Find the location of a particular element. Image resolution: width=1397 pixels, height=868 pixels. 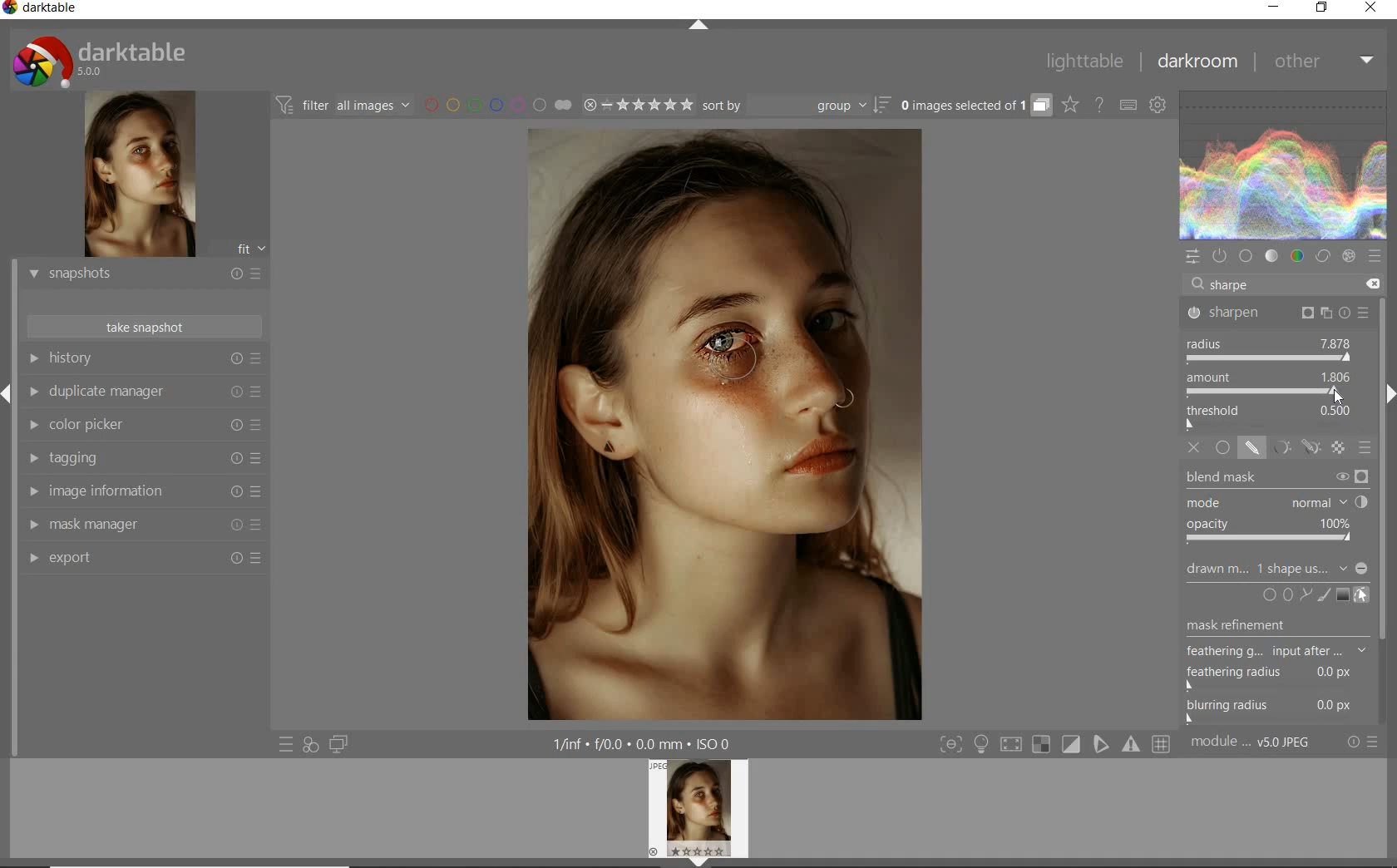

FEATHERING RADIUS is located at coordinates (1275, 673).